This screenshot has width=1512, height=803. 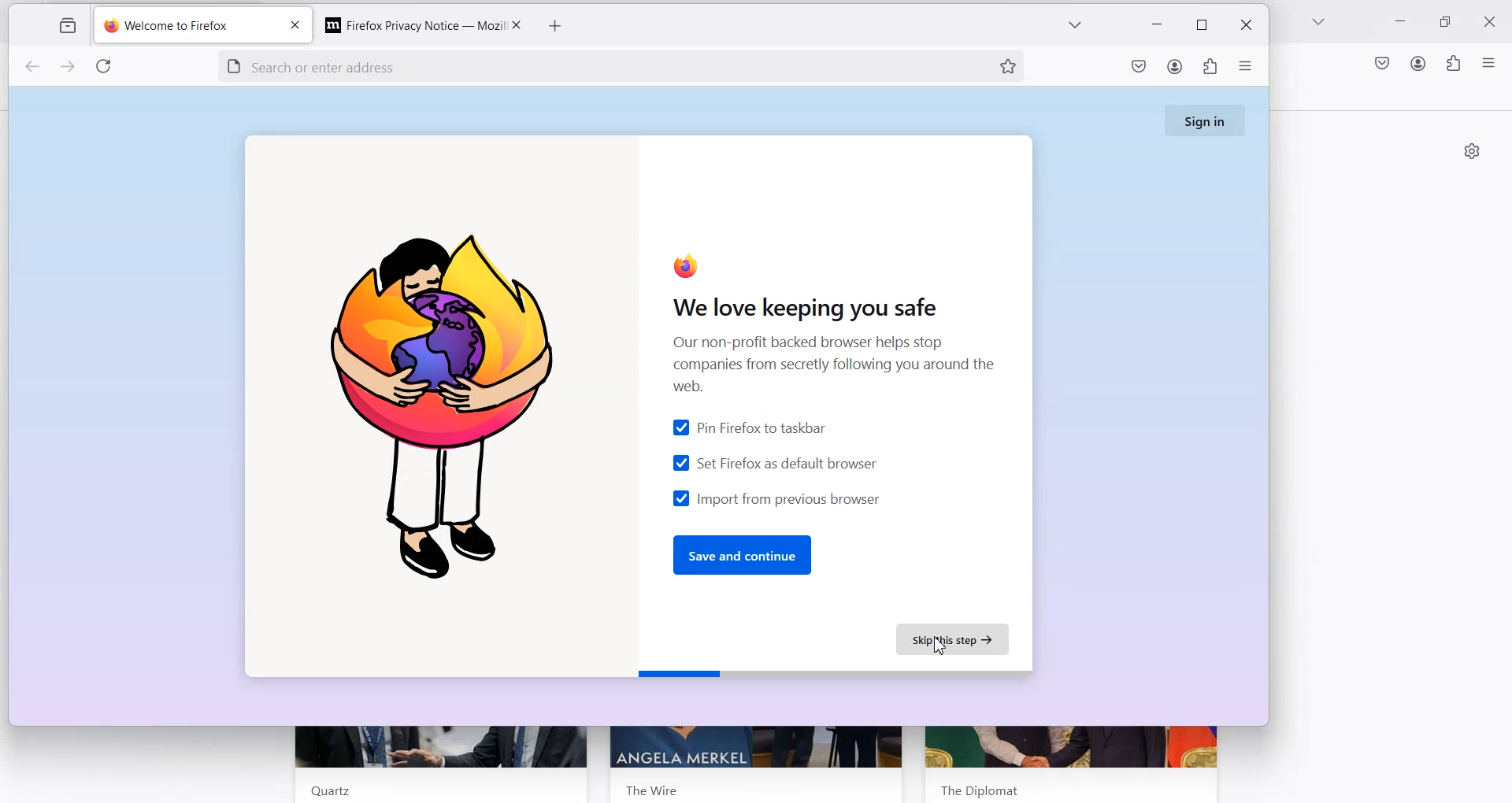 What do you see at coordinates (1503, 197) in the screenshot?
I see `vertical scrollbar` at bounding box center [1503, 197].